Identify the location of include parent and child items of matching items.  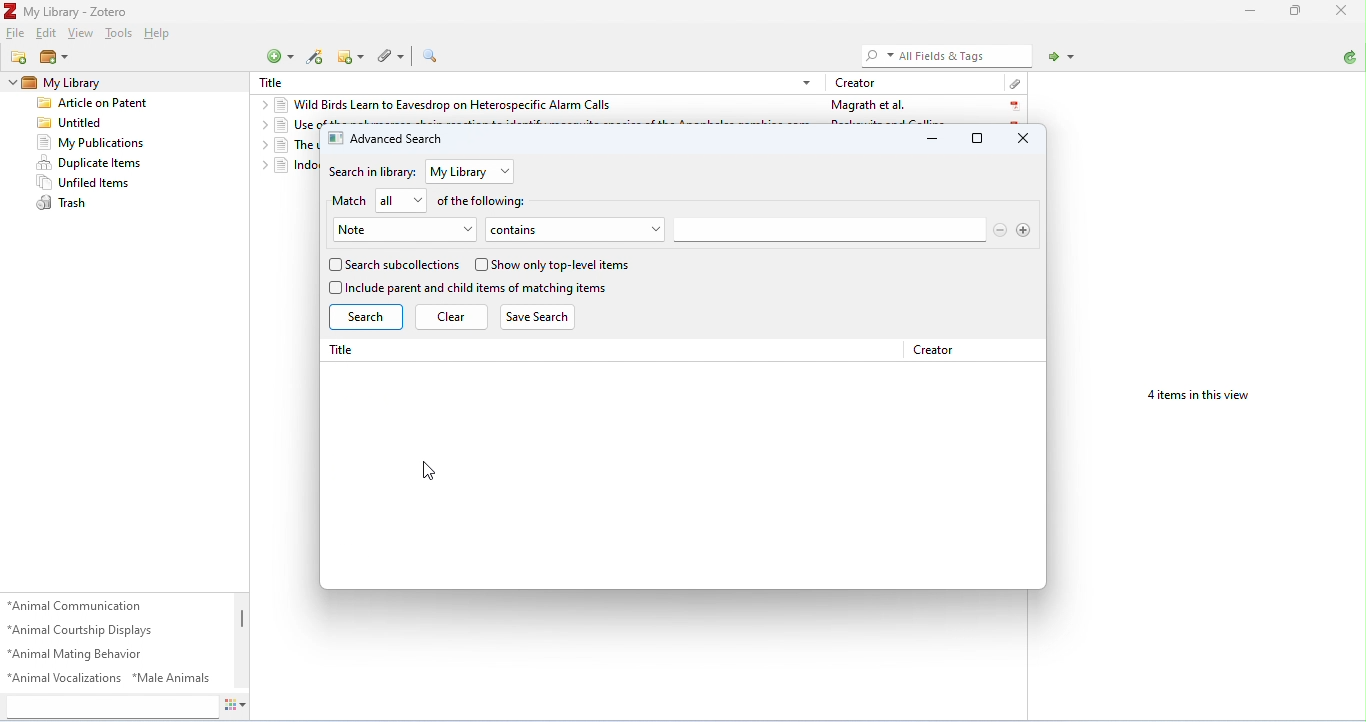
(478, 288).